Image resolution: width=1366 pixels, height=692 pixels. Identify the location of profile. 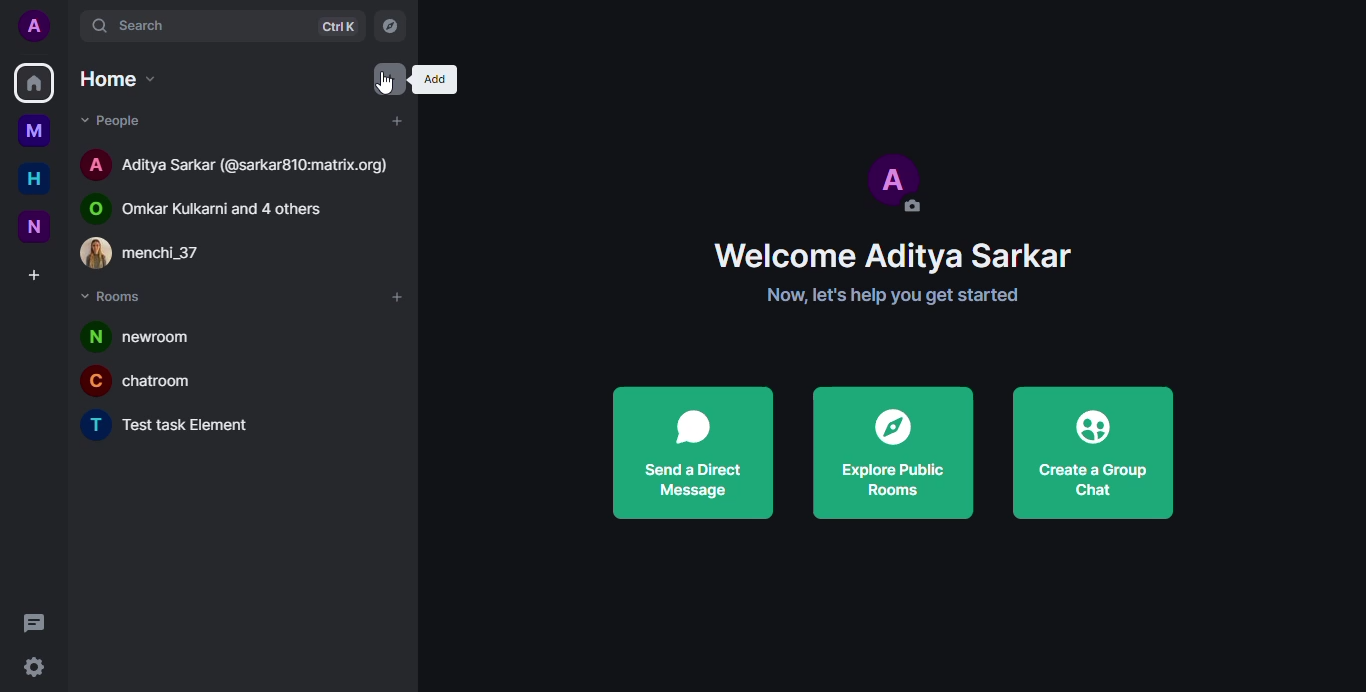
(894, 181).